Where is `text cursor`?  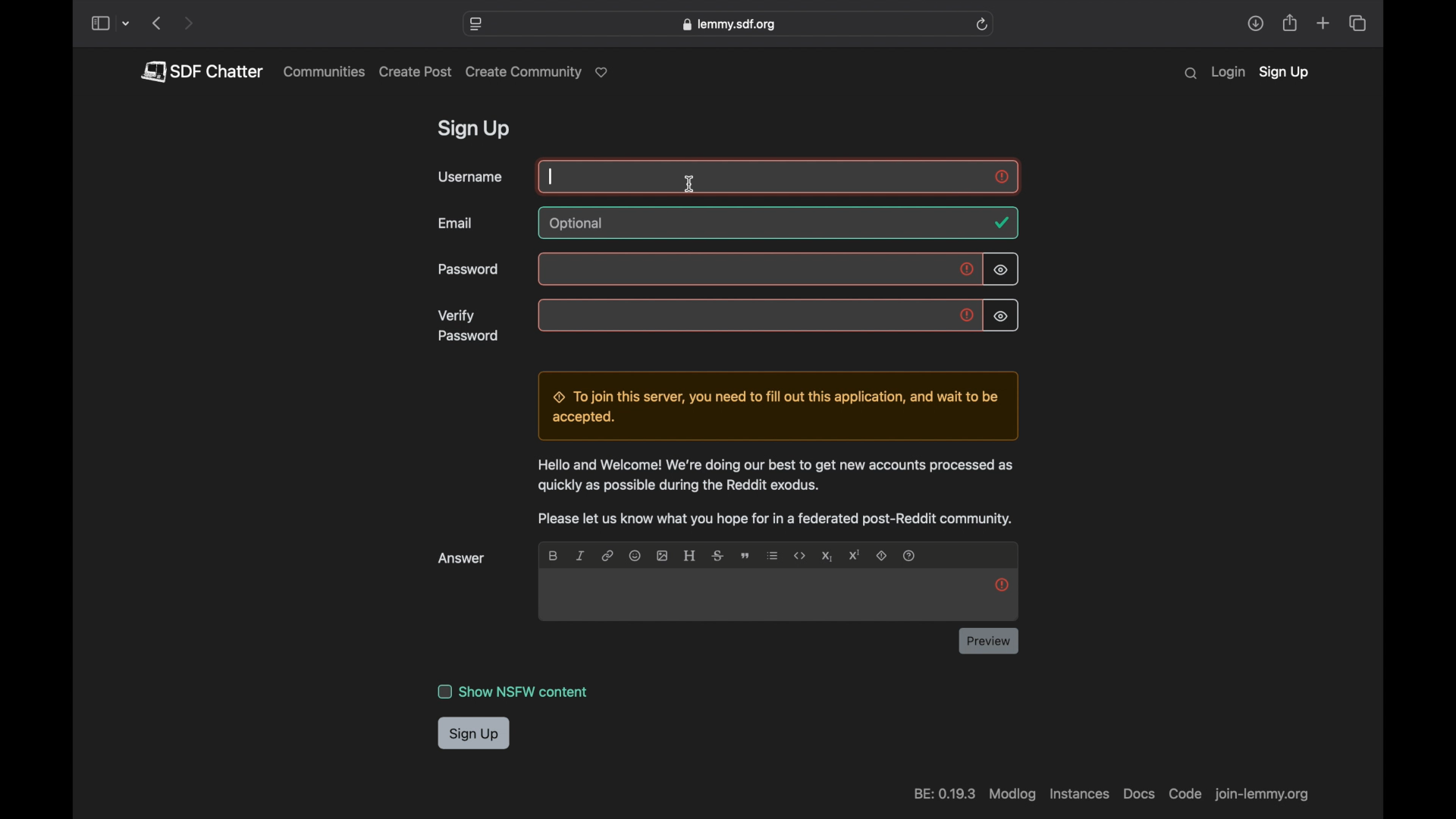
text cursor is located at coordinates (551, 175).